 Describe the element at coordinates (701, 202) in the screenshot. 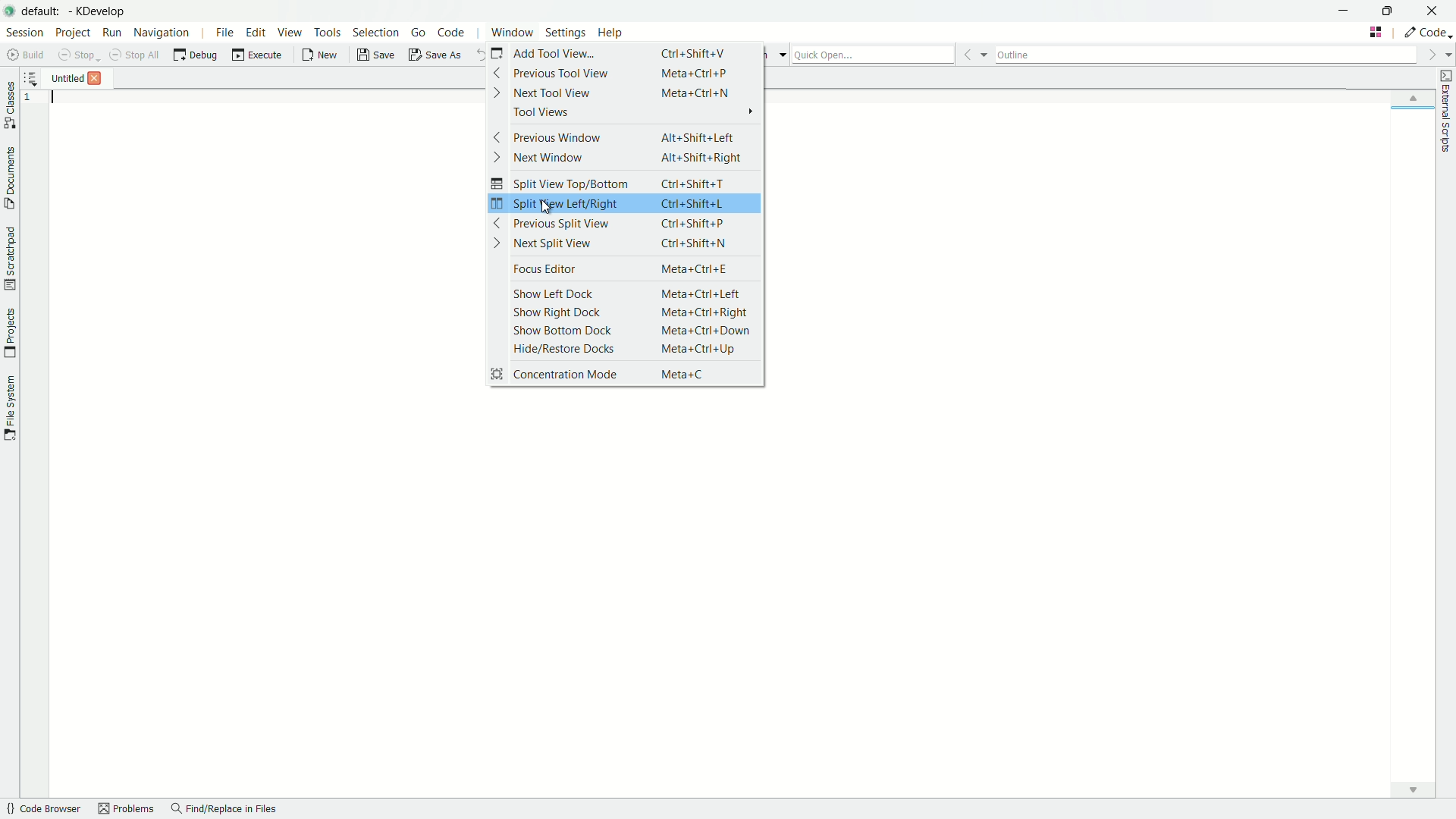

I see `Ctrl+Shift+L` at that location.